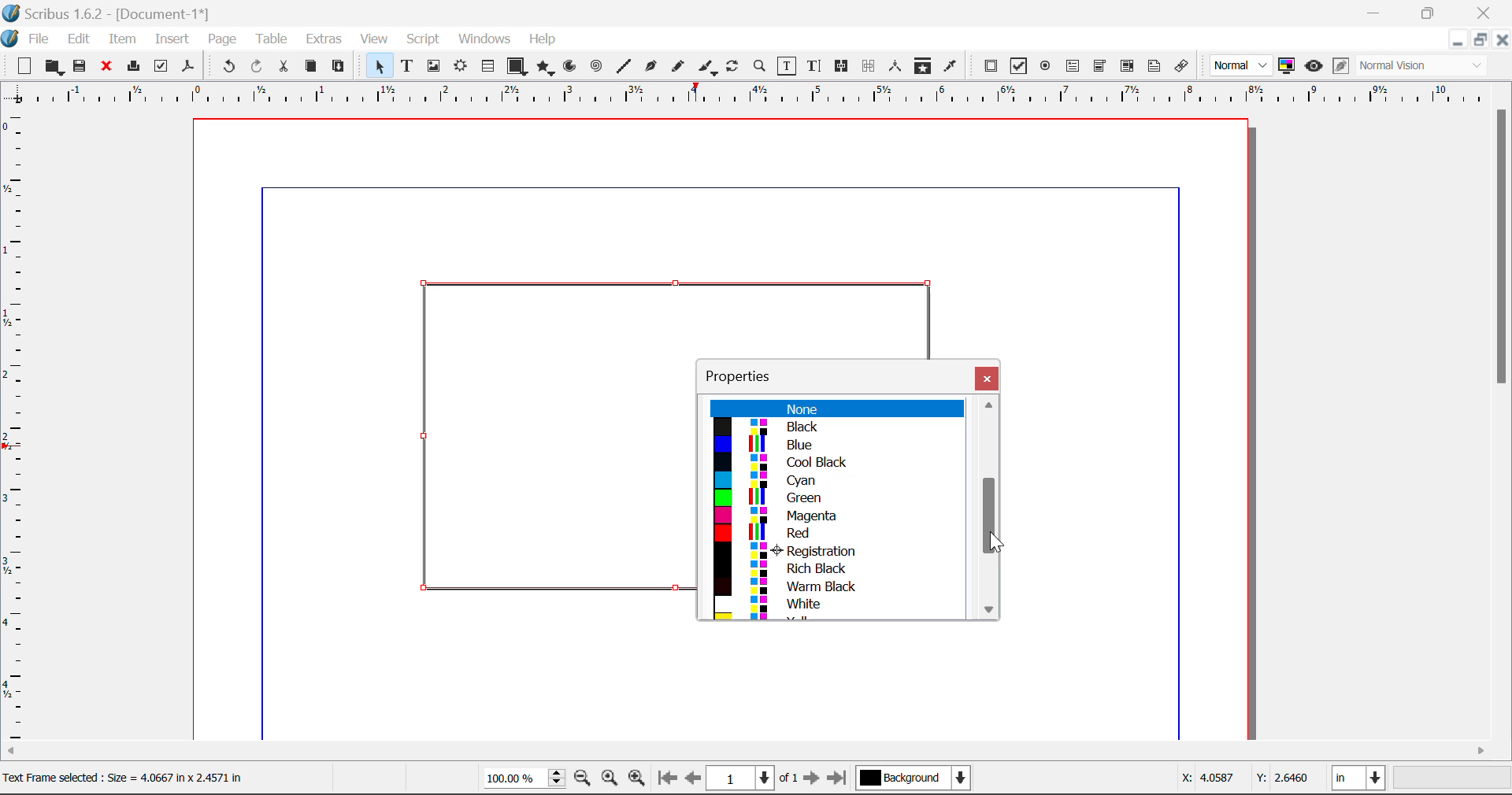 Image resolution: width=1512 pixels, height=795 pixels. Describe the element at coordinates (761, 65) in the screenshot. I see `Zoom` at that location.